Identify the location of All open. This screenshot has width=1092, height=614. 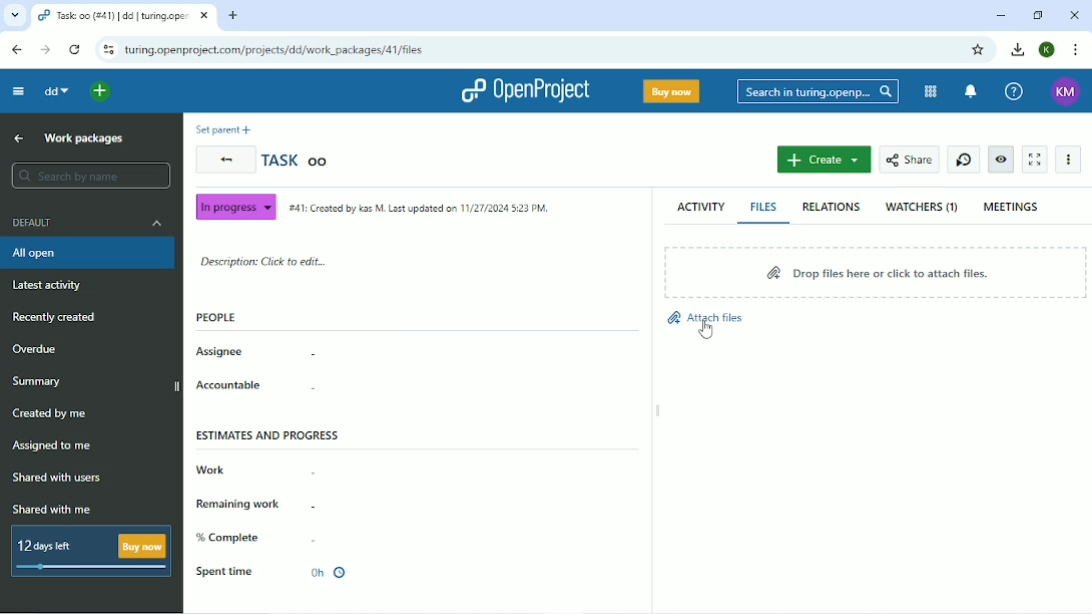
(89, 253).